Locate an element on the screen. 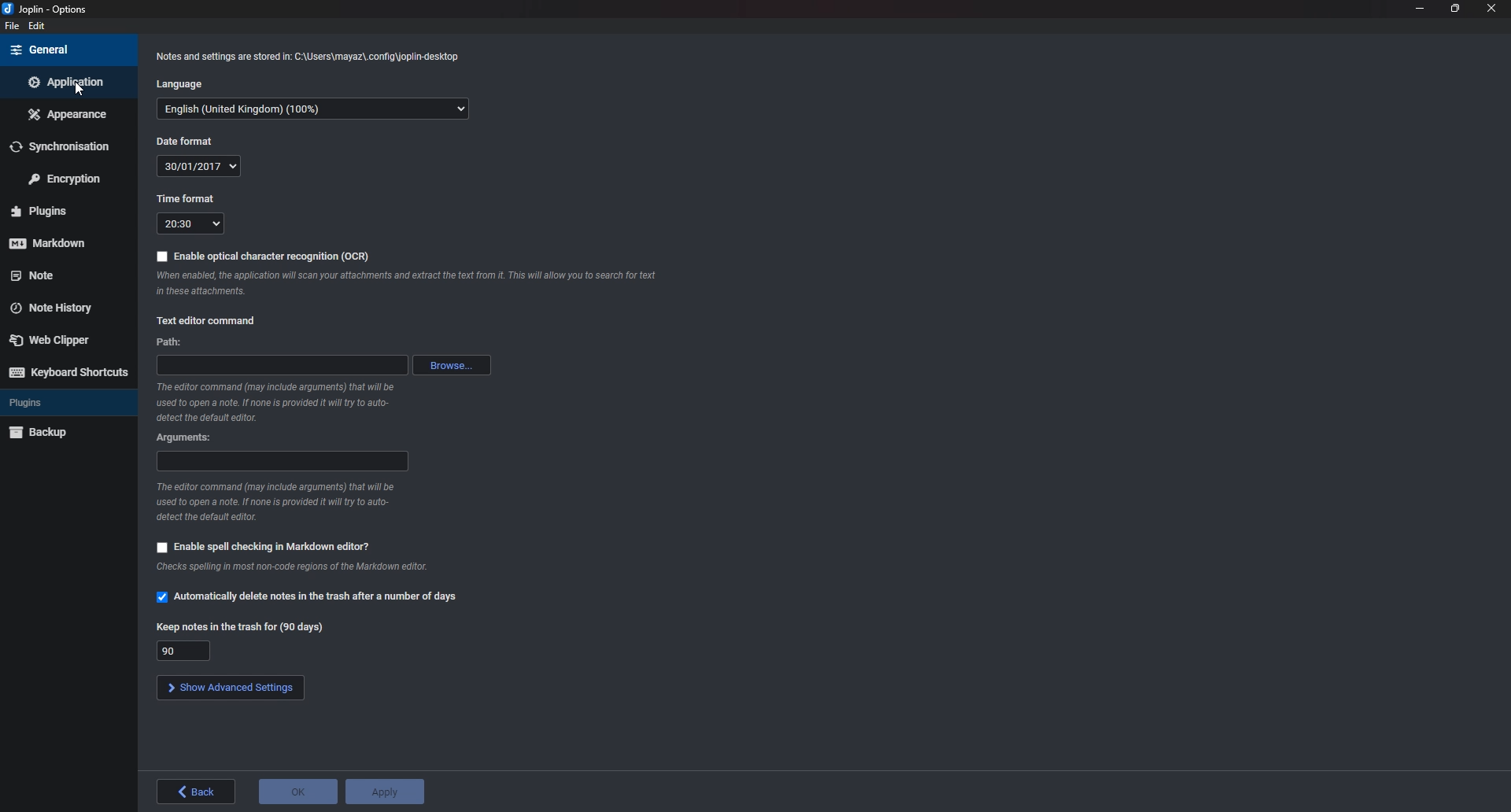  markdown is located at coordinates (56, 244).